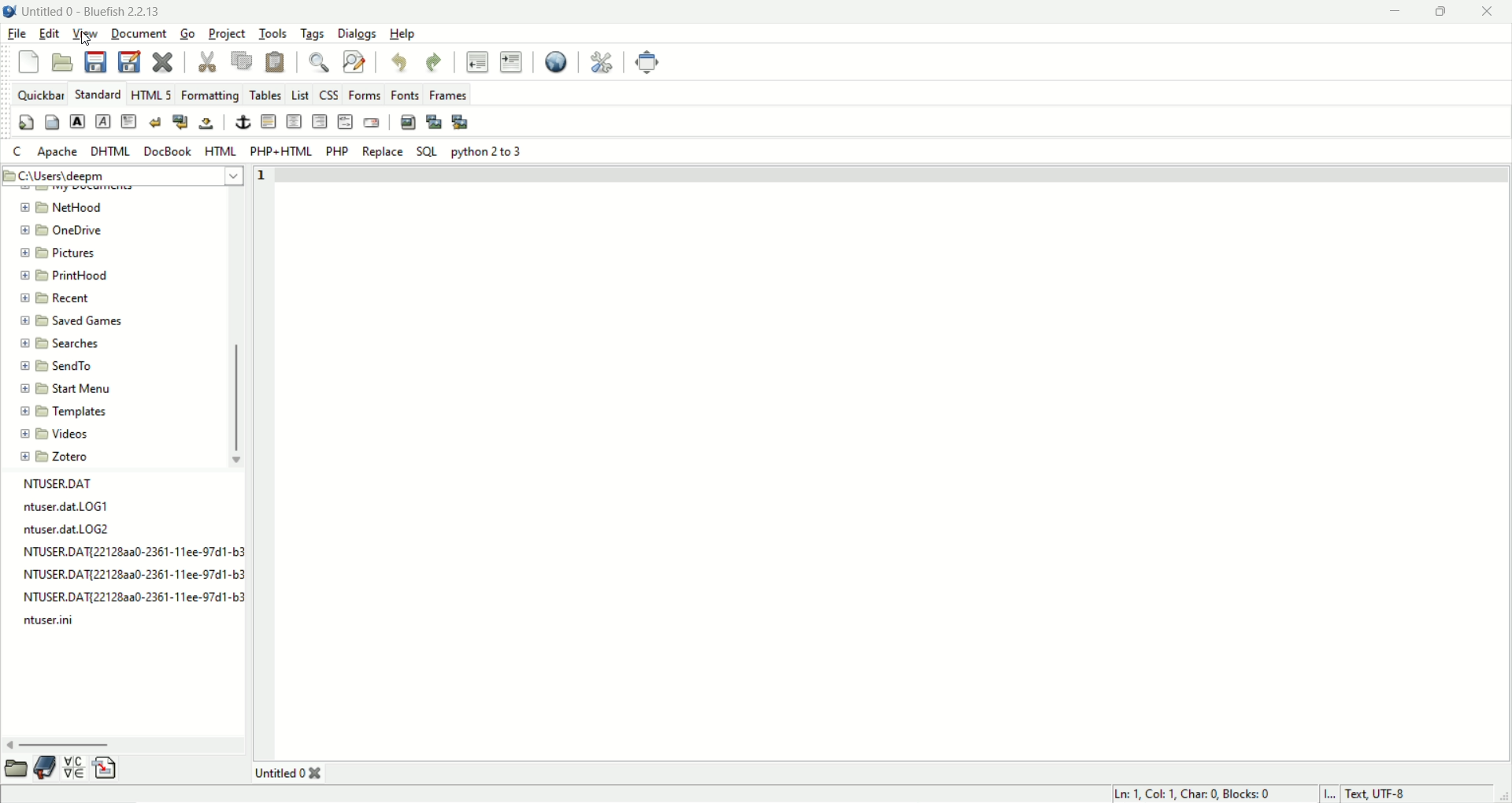  Describe the element at coordinates (602, 61) in the screenshot. I see `edit preferences` at that location.